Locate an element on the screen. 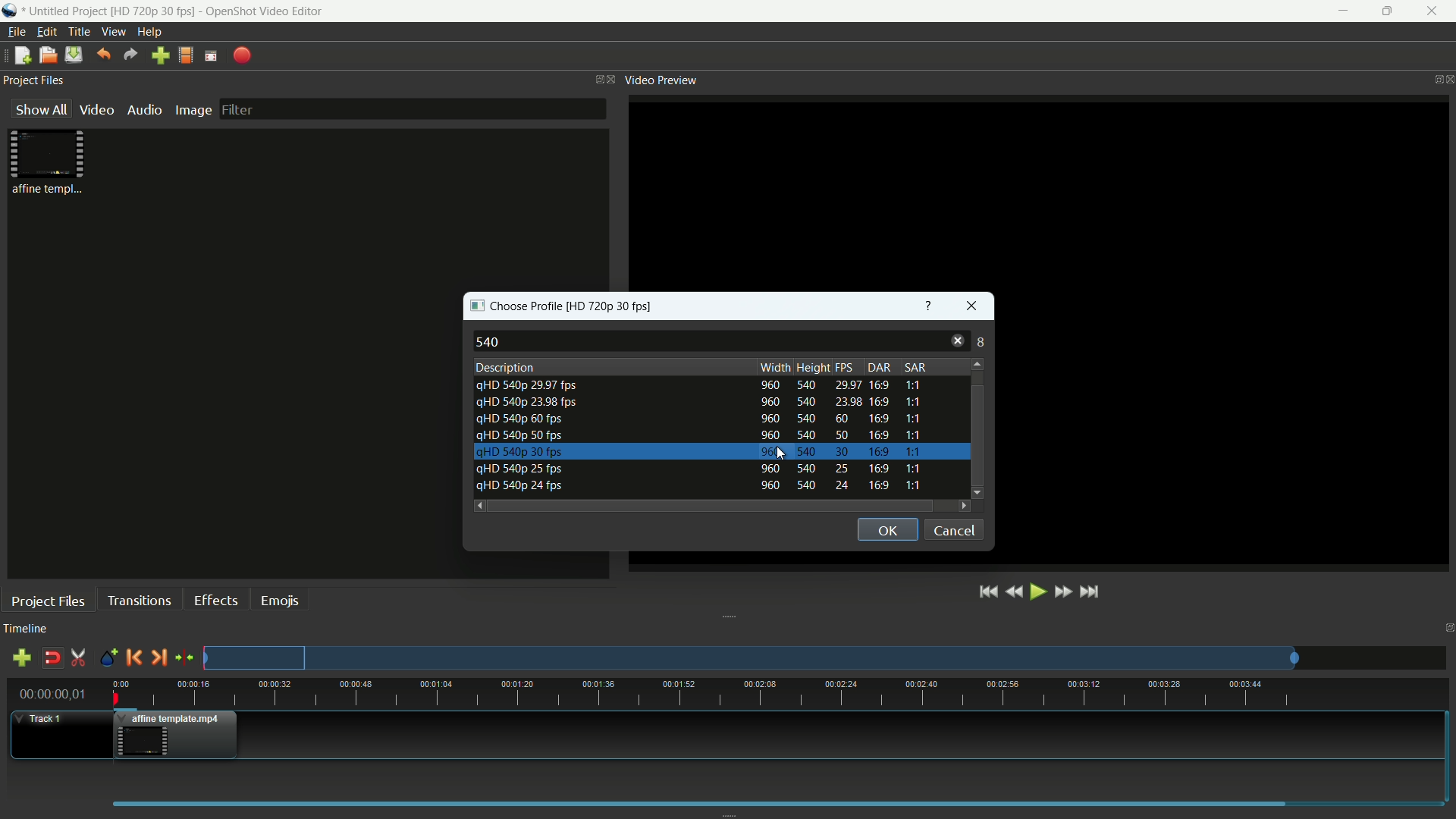 This screenshot has width=1456, height=819. ok is located at coordinates (886, 529).